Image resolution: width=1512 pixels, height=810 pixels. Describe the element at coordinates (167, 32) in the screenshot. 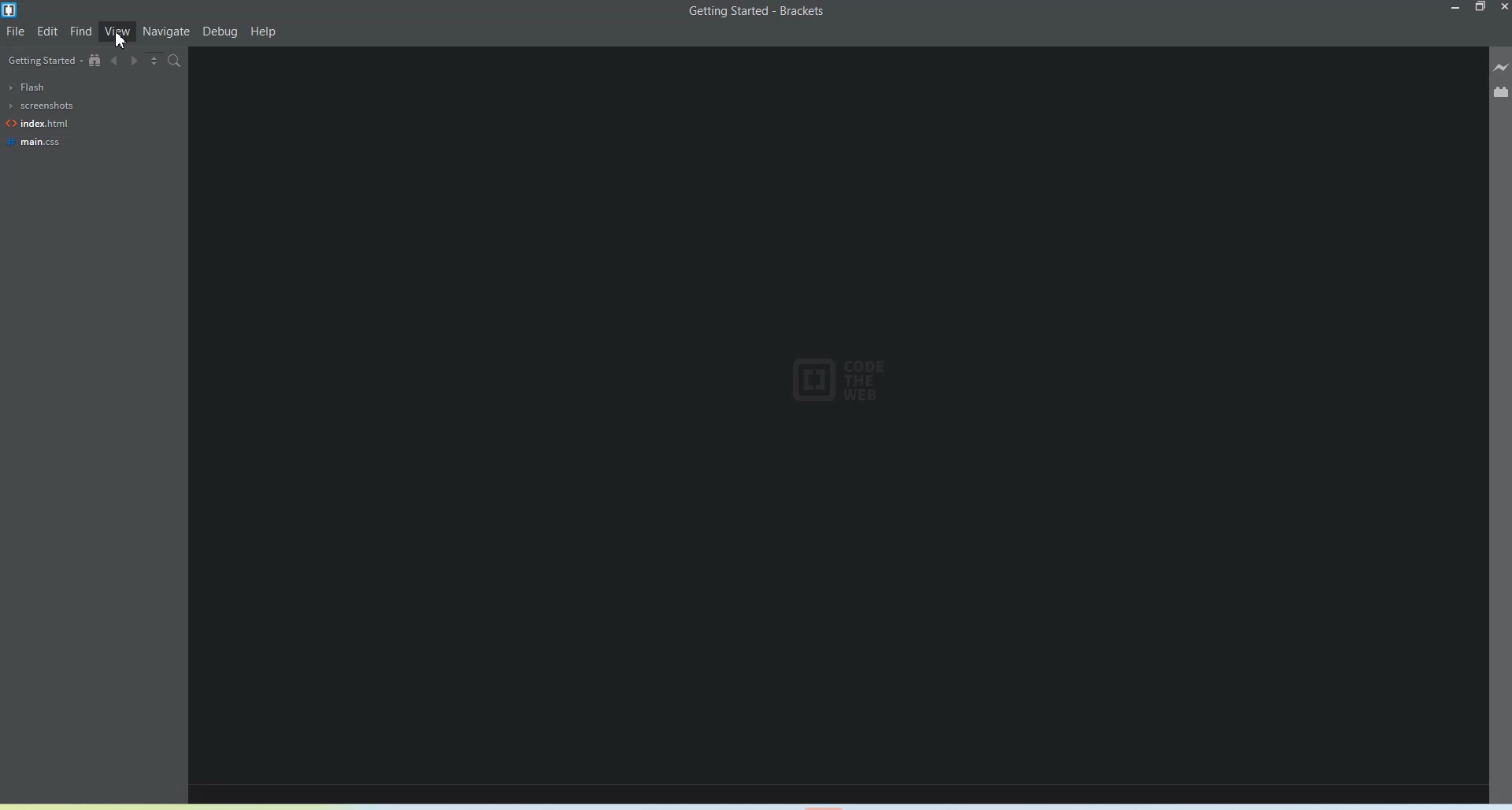

I see `Navigate` at that location.